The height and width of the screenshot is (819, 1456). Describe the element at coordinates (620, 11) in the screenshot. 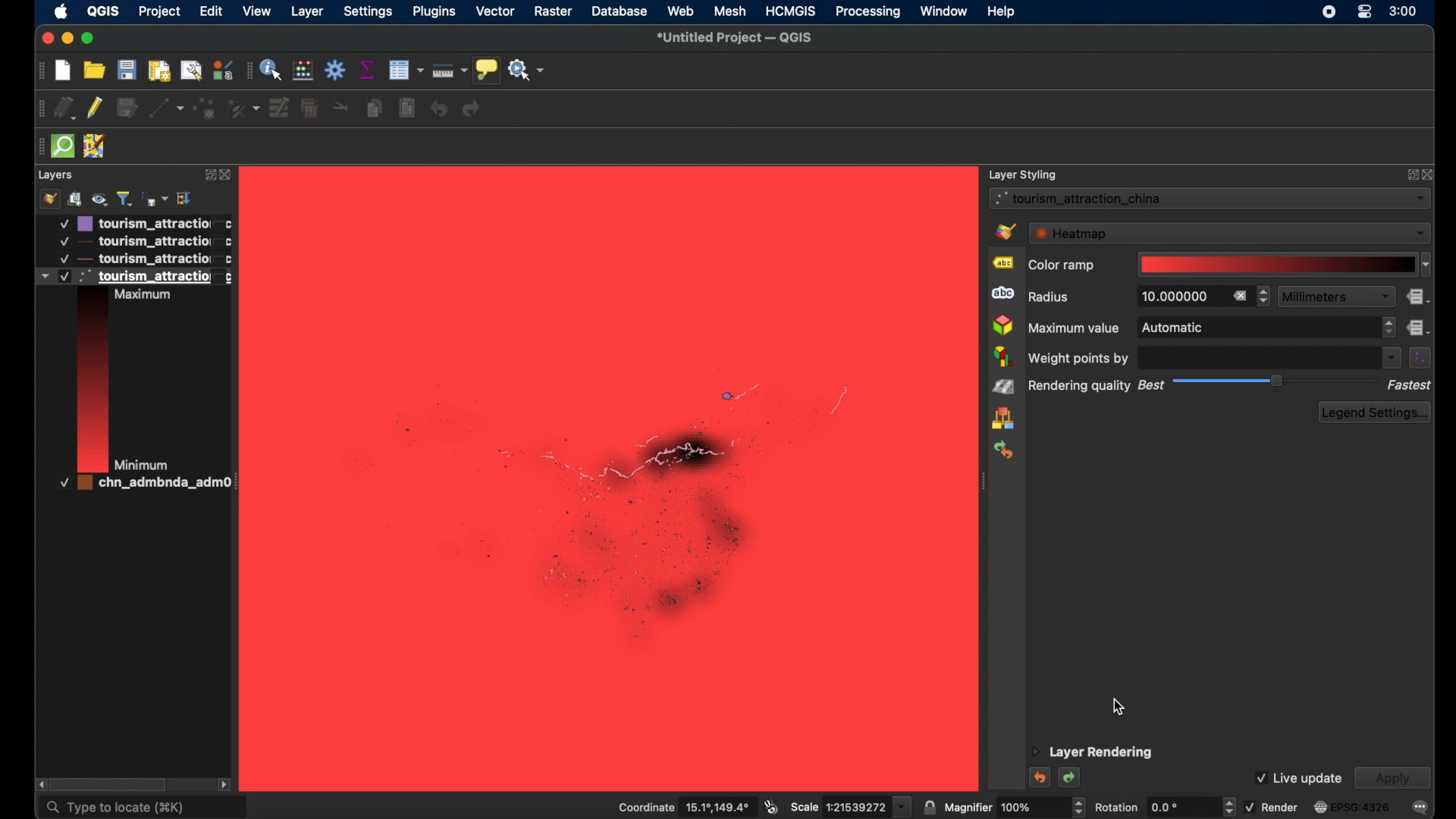

I see `database` at that location.